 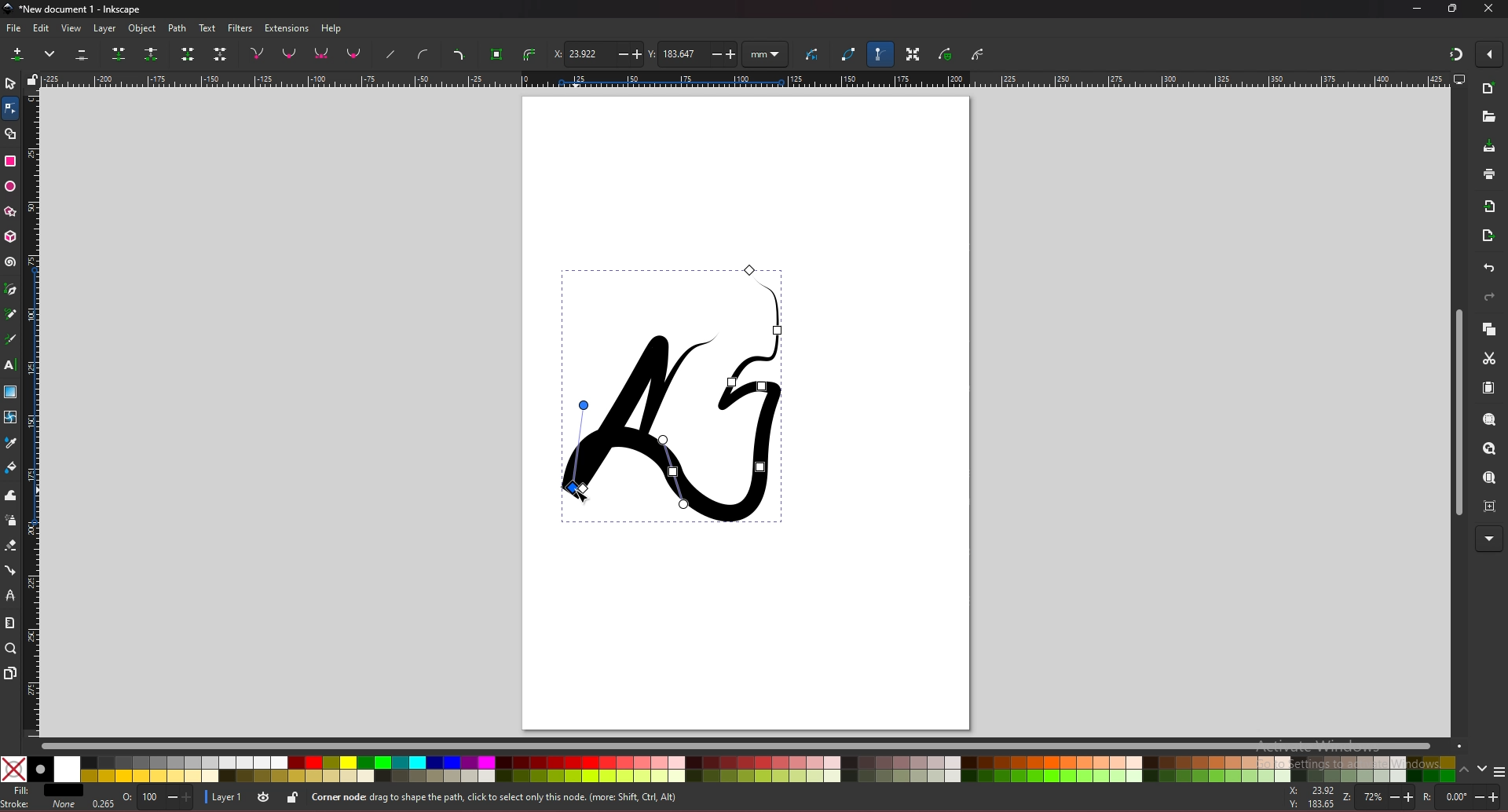 I want to click on path outline, so click(x=849, y=53).